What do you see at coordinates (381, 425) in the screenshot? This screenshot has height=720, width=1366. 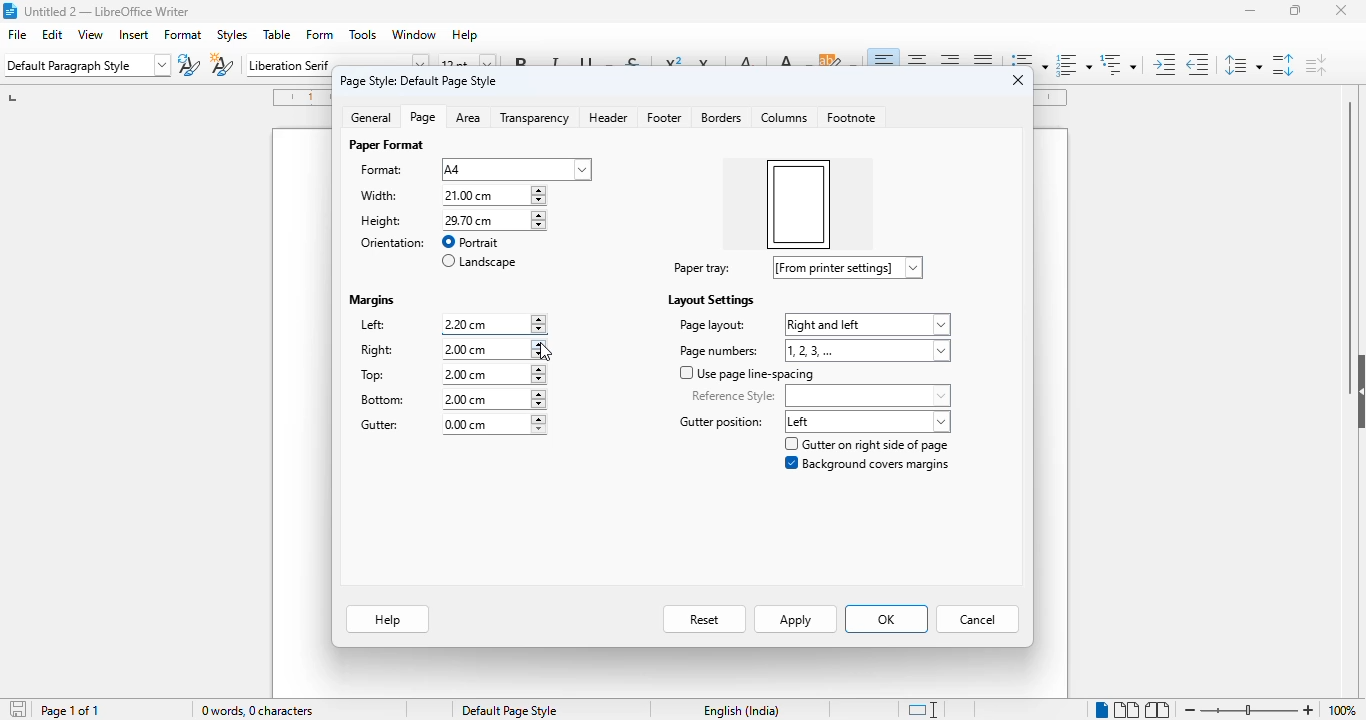 I see `gutter: ` at bounding box center [381, 425].